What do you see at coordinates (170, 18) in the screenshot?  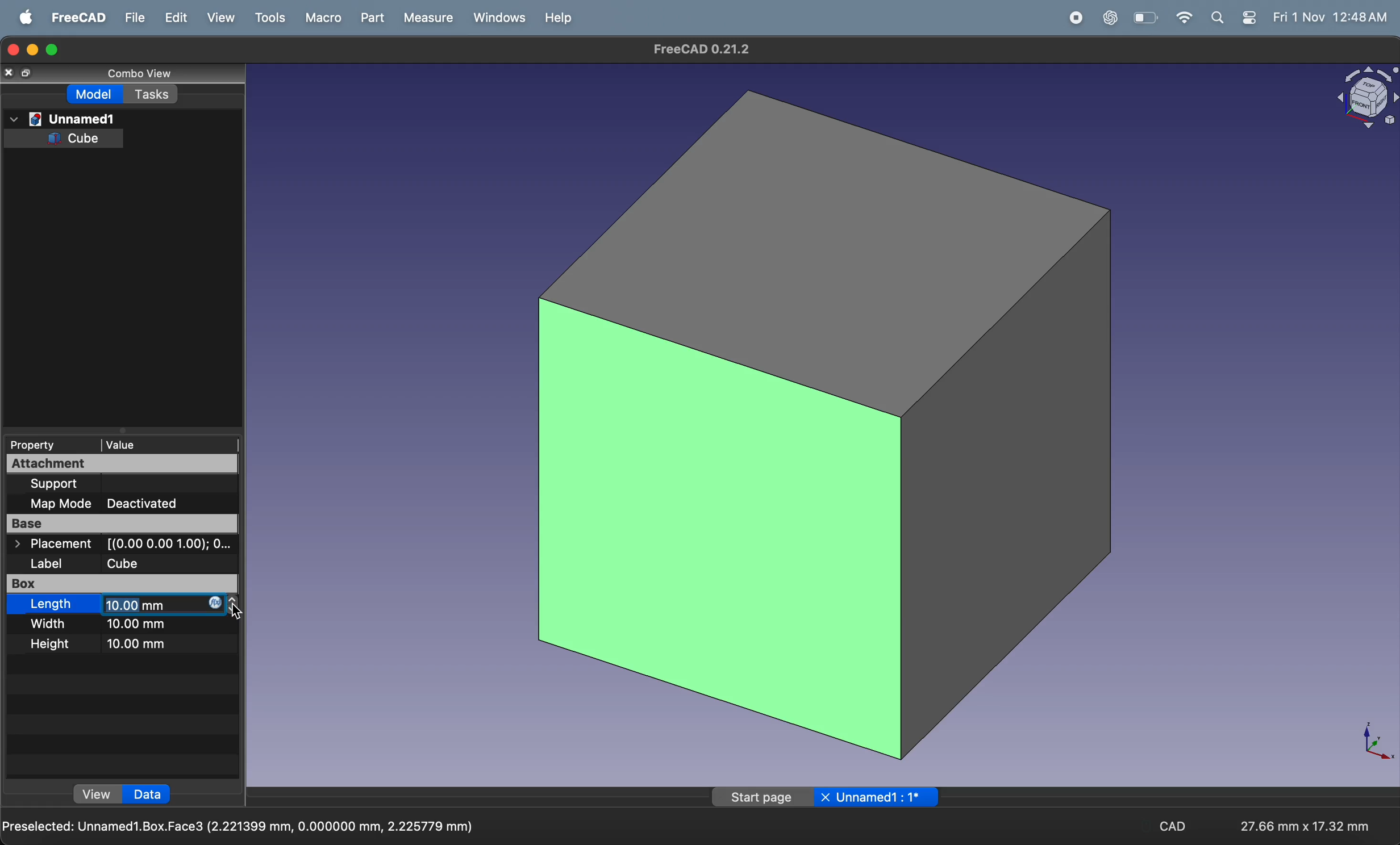 I see `edit` at bounding box center [170, 18].